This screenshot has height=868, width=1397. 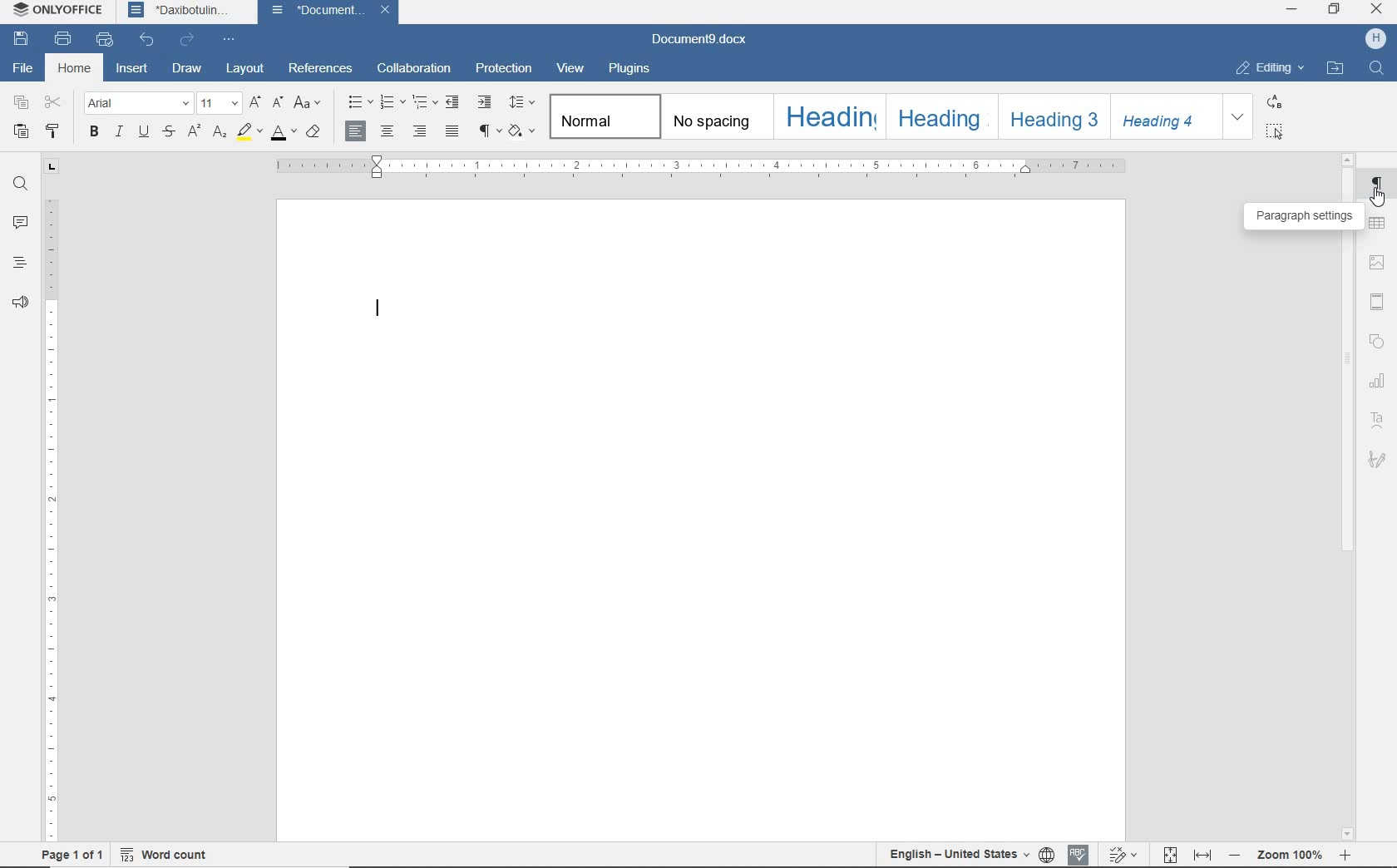 I want to click on nonprinting characters, so click(x=489, y=133).